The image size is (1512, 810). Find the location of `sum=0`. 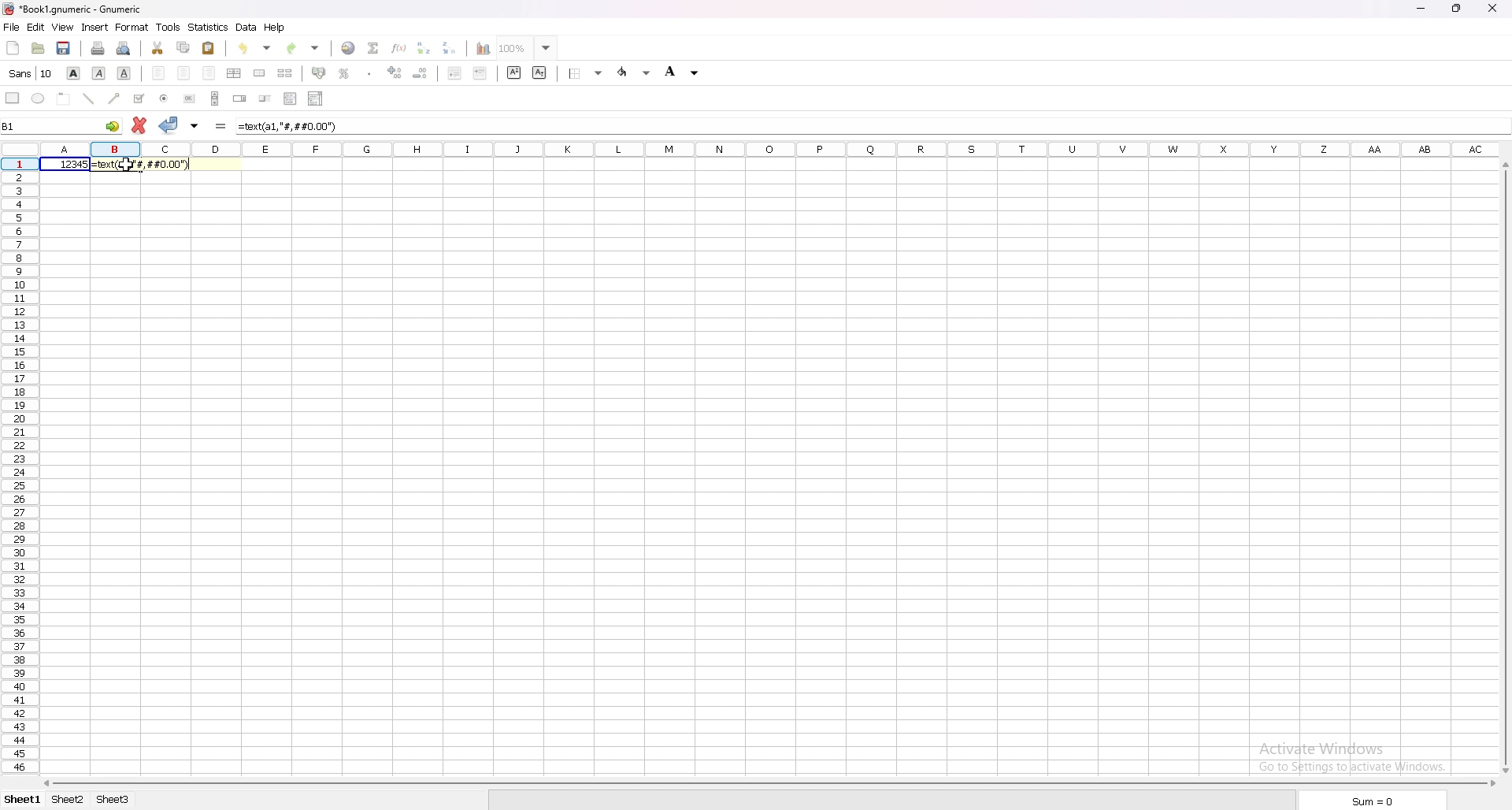

sum=0 is located at coordinates (1371, 801).